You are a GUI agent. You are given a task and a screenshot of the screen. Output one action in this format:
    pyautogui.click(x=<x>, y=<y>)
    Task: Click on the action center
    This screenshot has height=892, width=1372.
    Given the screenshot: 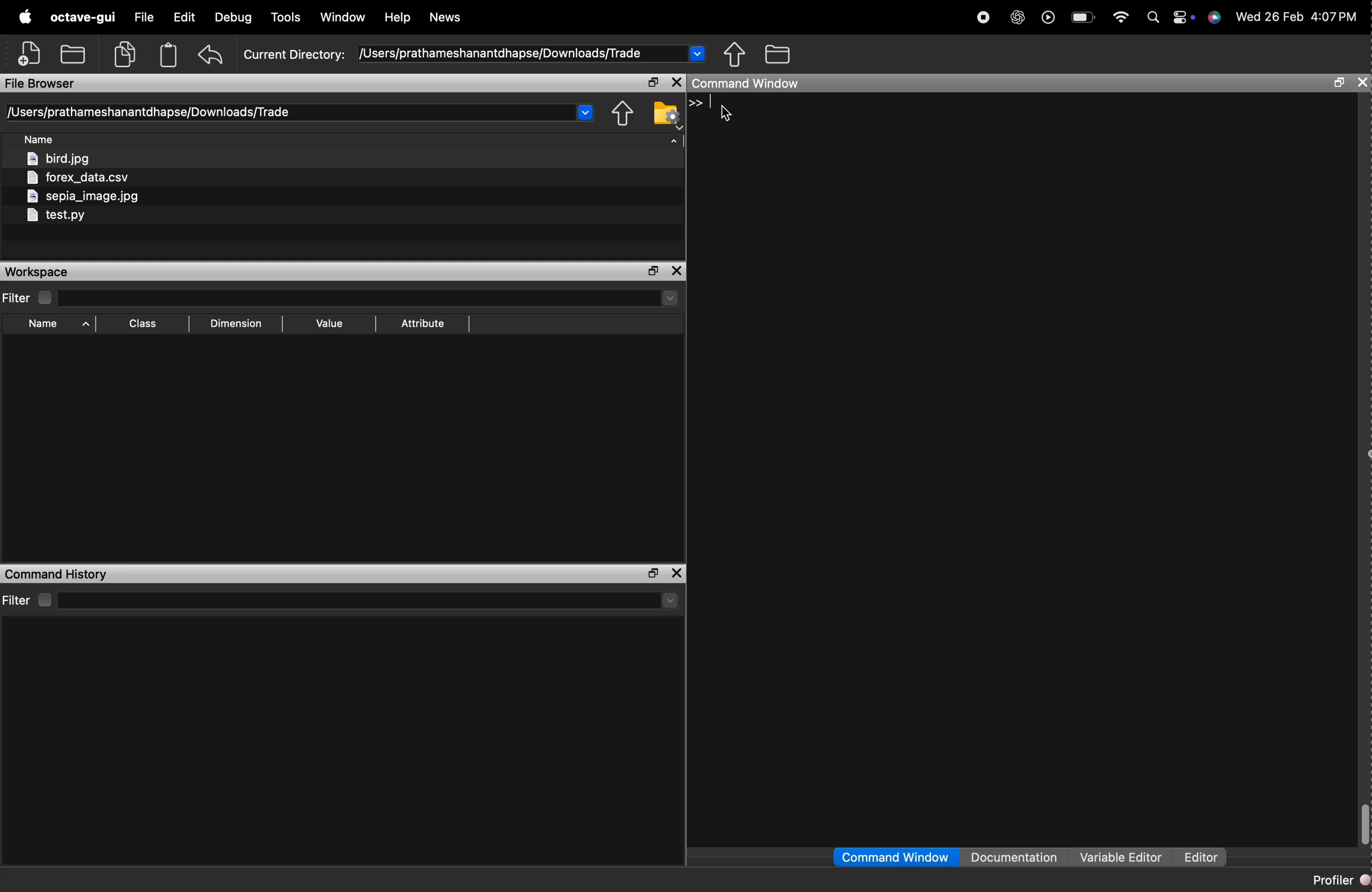 What is the action you would take?
    pyautogui.click(x=1185, y=18)
    